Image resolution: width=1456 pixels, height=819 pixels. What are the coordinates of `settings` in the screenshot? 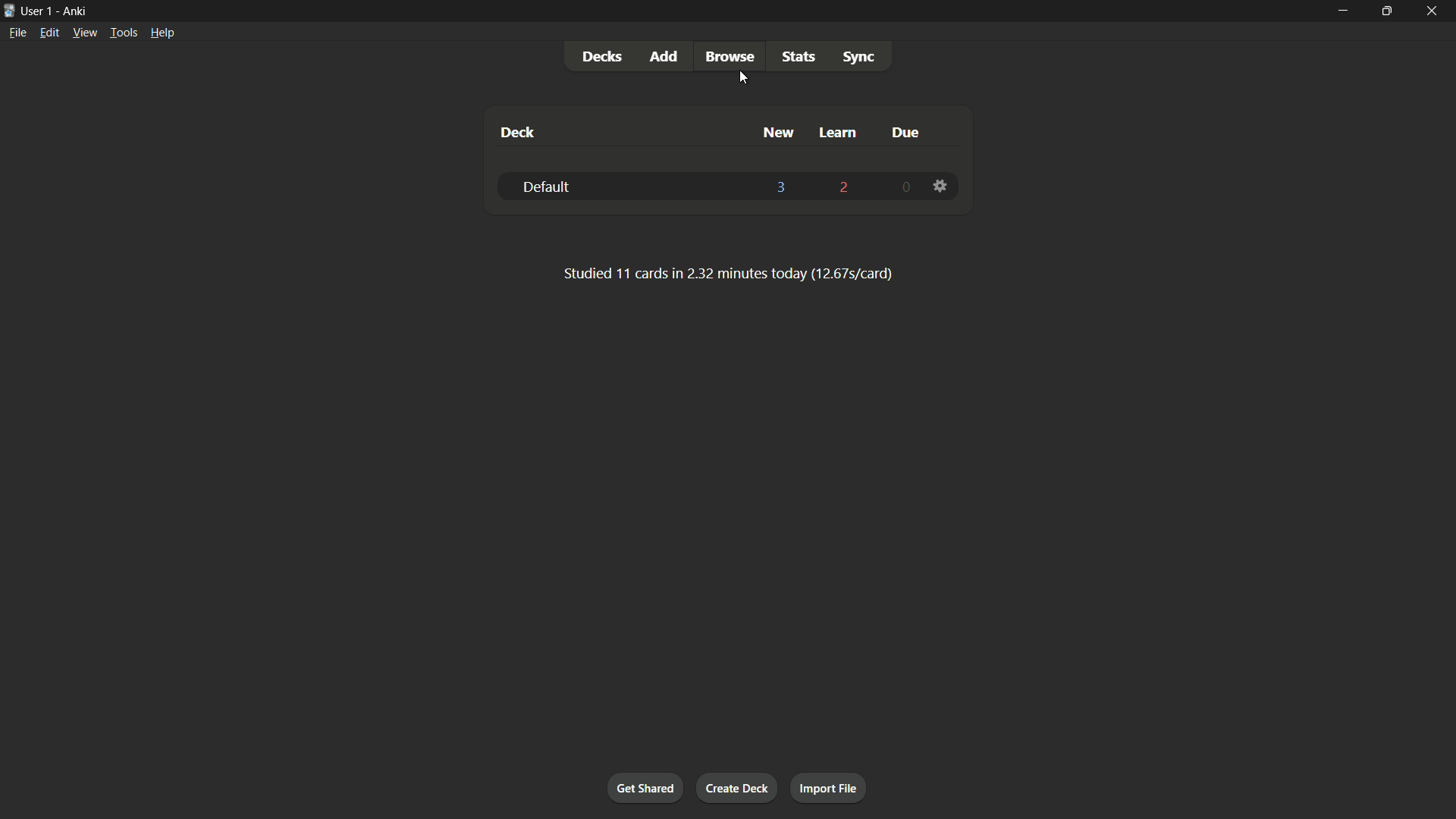 It's located at (943, 186).